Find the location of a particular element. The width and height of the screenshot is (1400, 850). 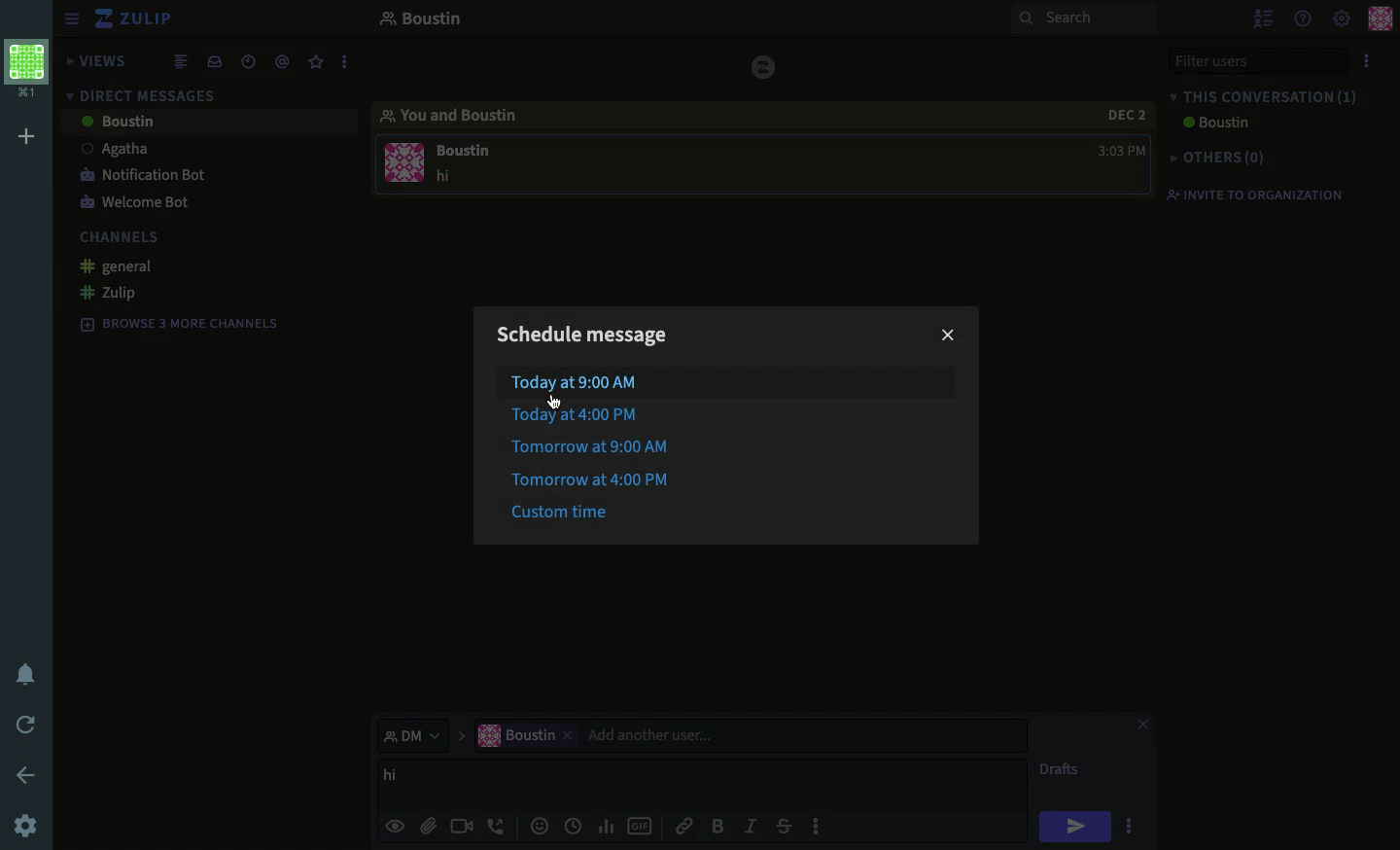

date time is located at coordinates (250, 62).